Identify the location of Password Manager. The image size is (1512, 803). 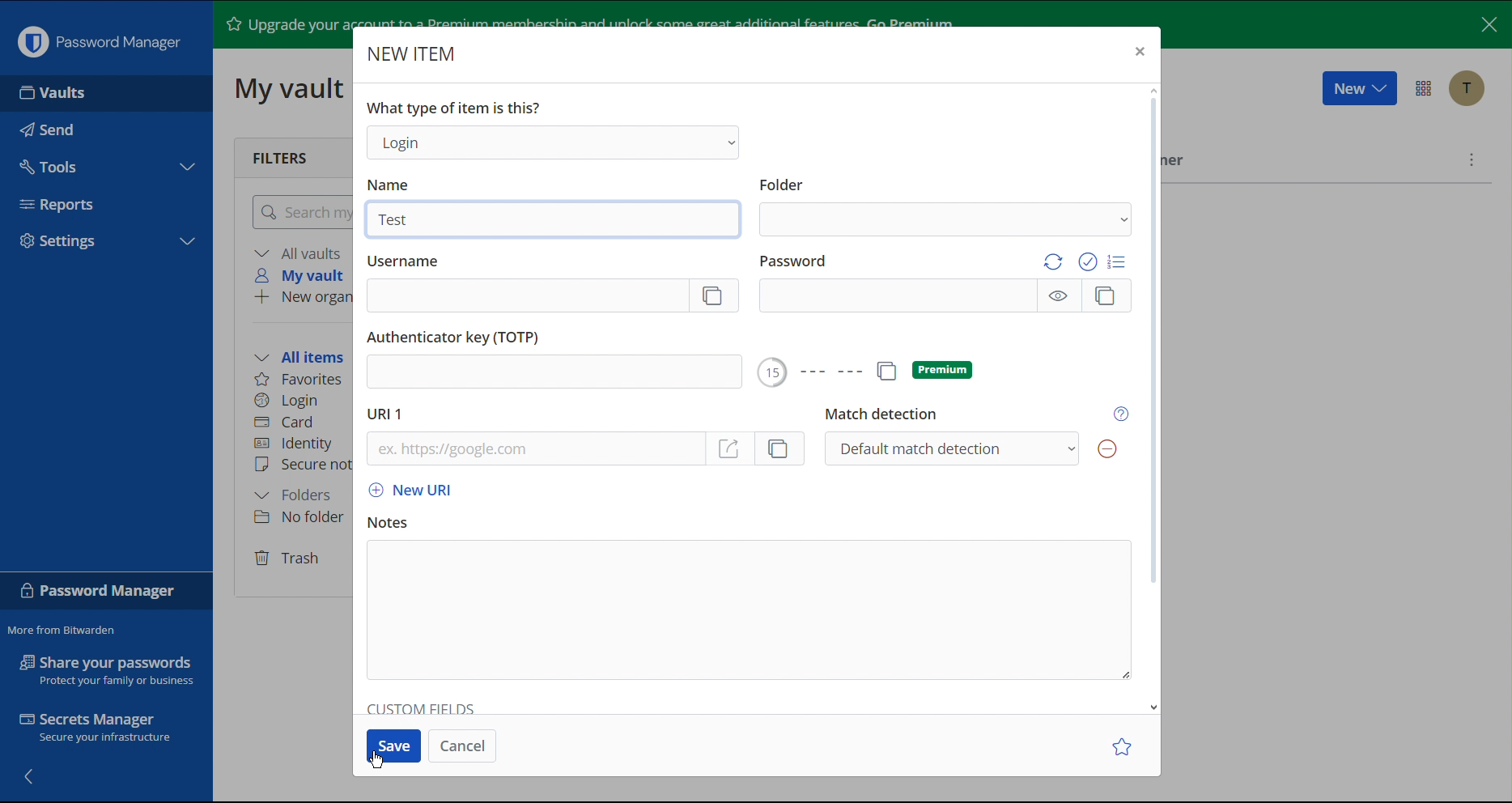
(96, 41).